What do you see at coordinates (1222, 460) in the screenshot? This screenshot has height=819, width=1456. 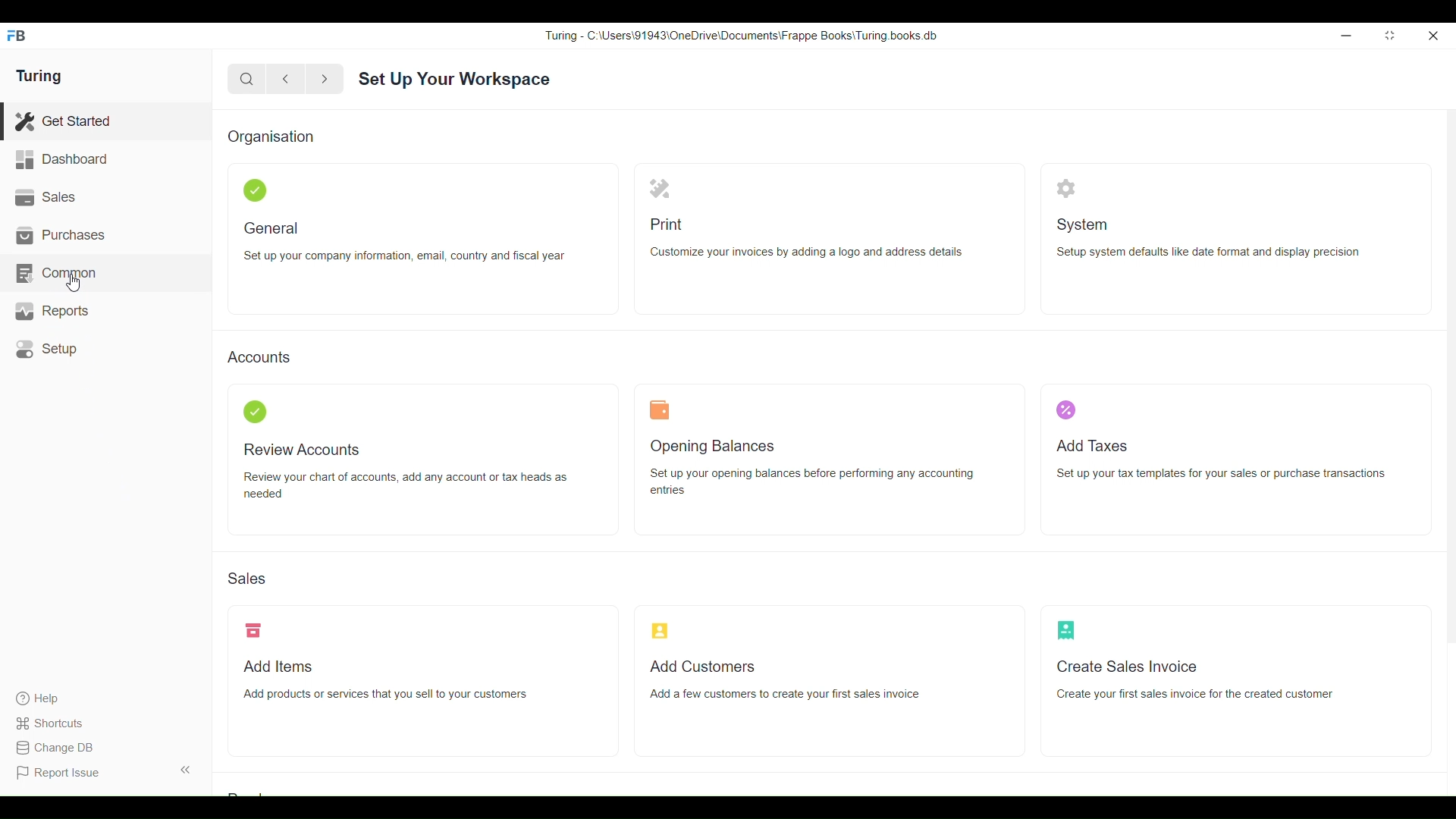 I see `Add Taxes Set up your tax templates for your sales or purchase transactions` at bounding box center [1222, 460].